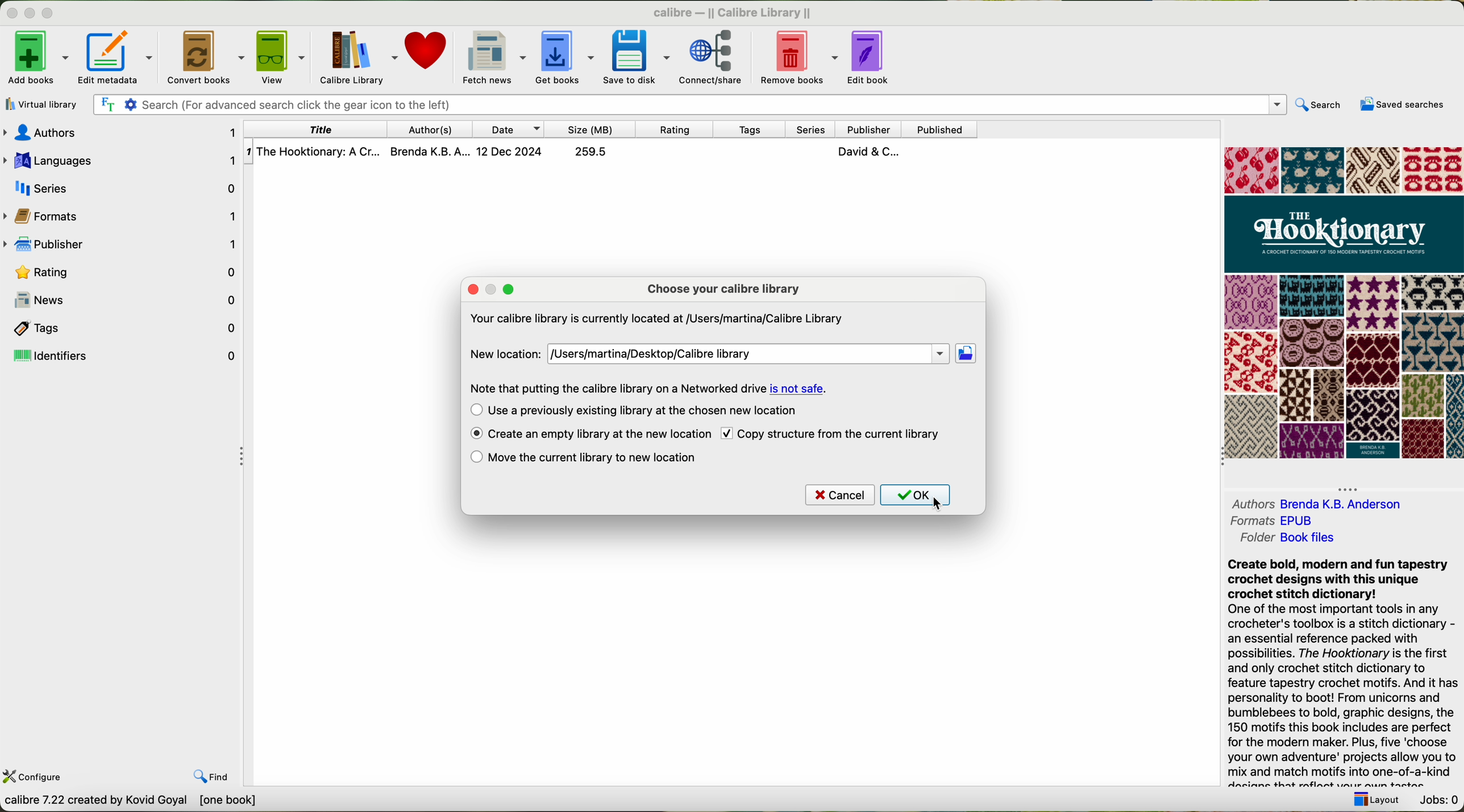 The width and height of the screenshot is (1464, 812). Describe the element at coordinates (163, 802) in the screenshot. I see `calibre 7.22 created by Kavid Goyal [one book]` at that location.